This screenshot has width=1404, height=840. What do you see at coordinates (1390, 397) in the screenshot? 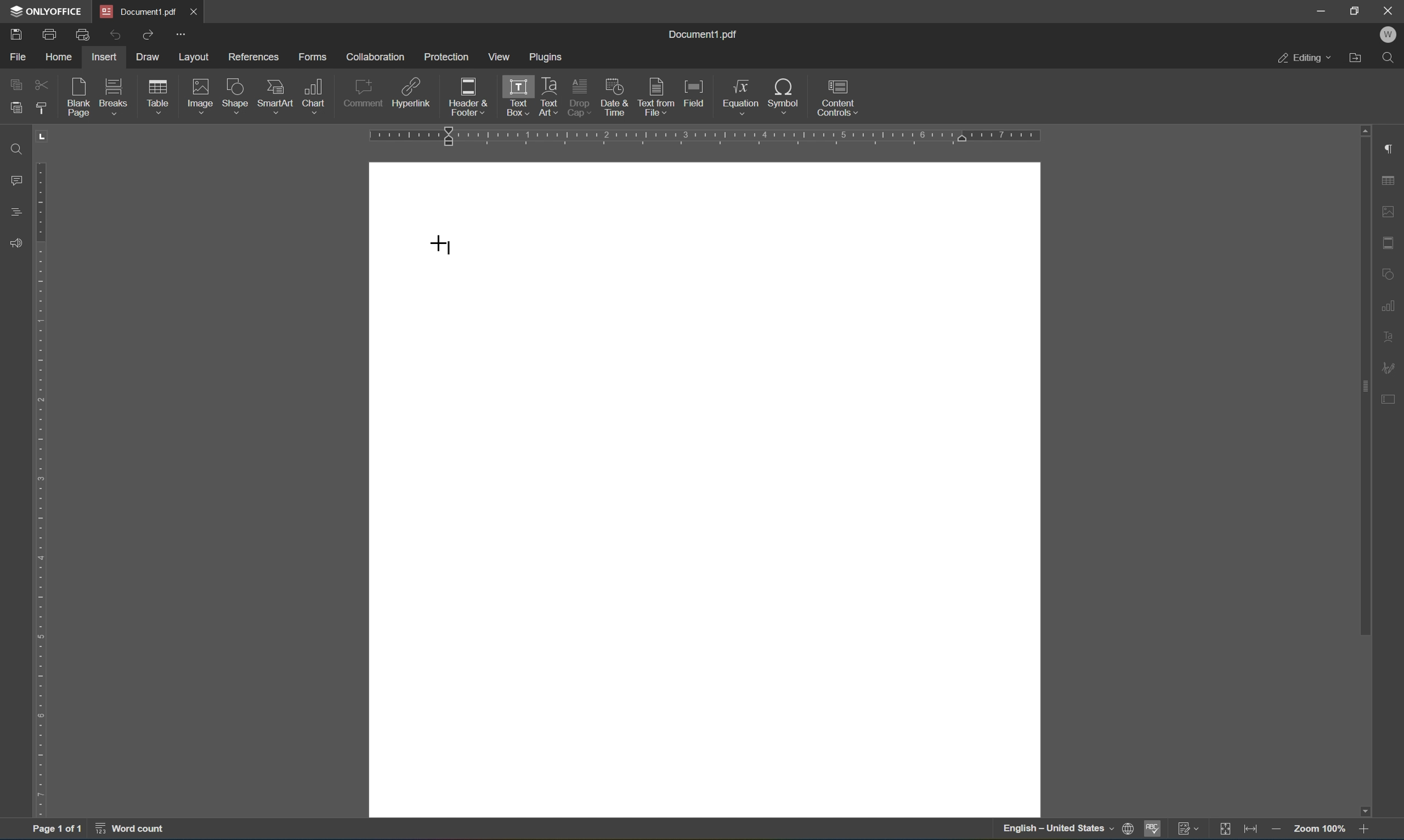
I see `Form settings` at bounding box center [1390, 397].